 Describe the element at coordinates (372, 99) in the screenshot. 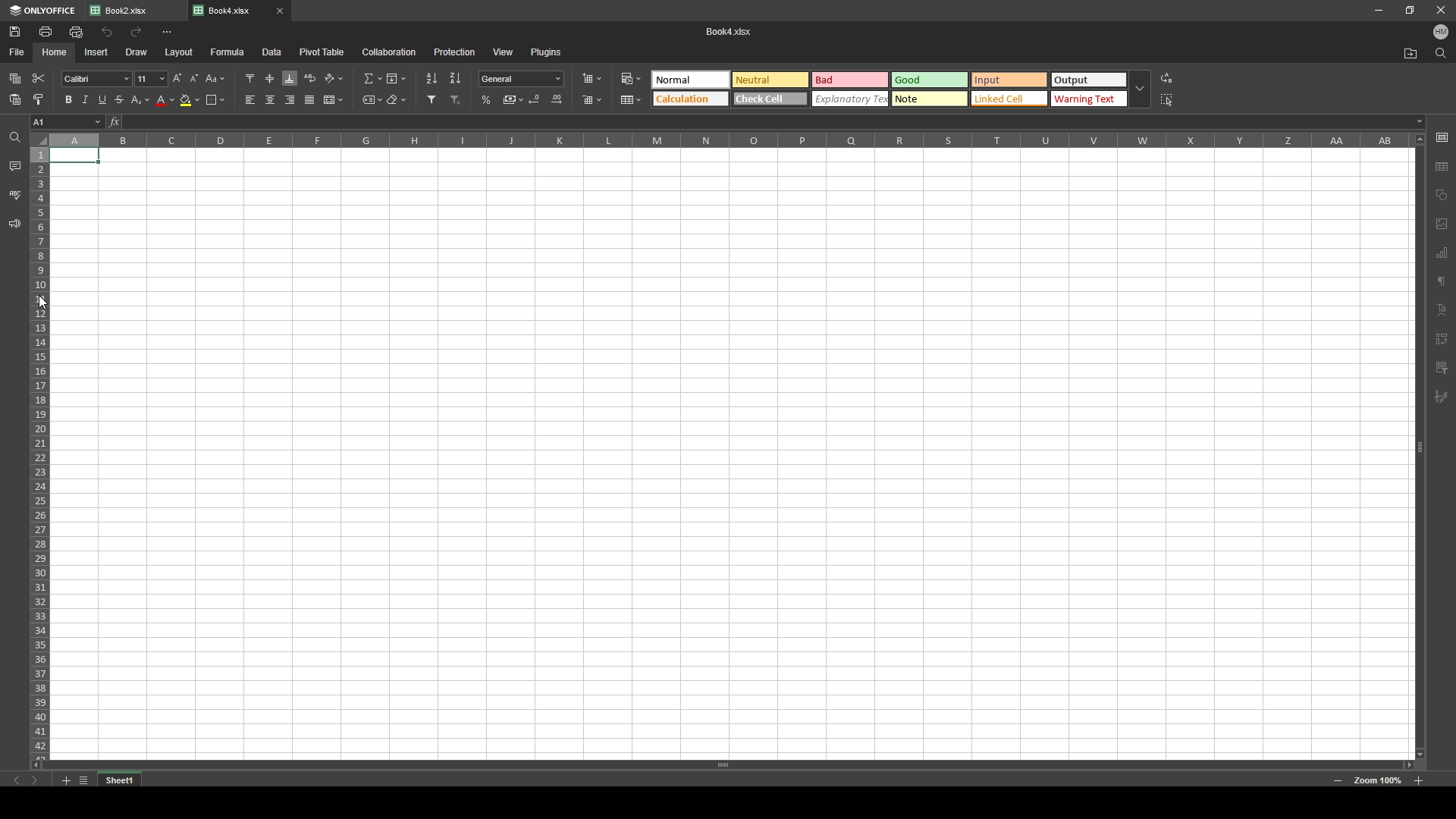

I see `named ranges` at that location.